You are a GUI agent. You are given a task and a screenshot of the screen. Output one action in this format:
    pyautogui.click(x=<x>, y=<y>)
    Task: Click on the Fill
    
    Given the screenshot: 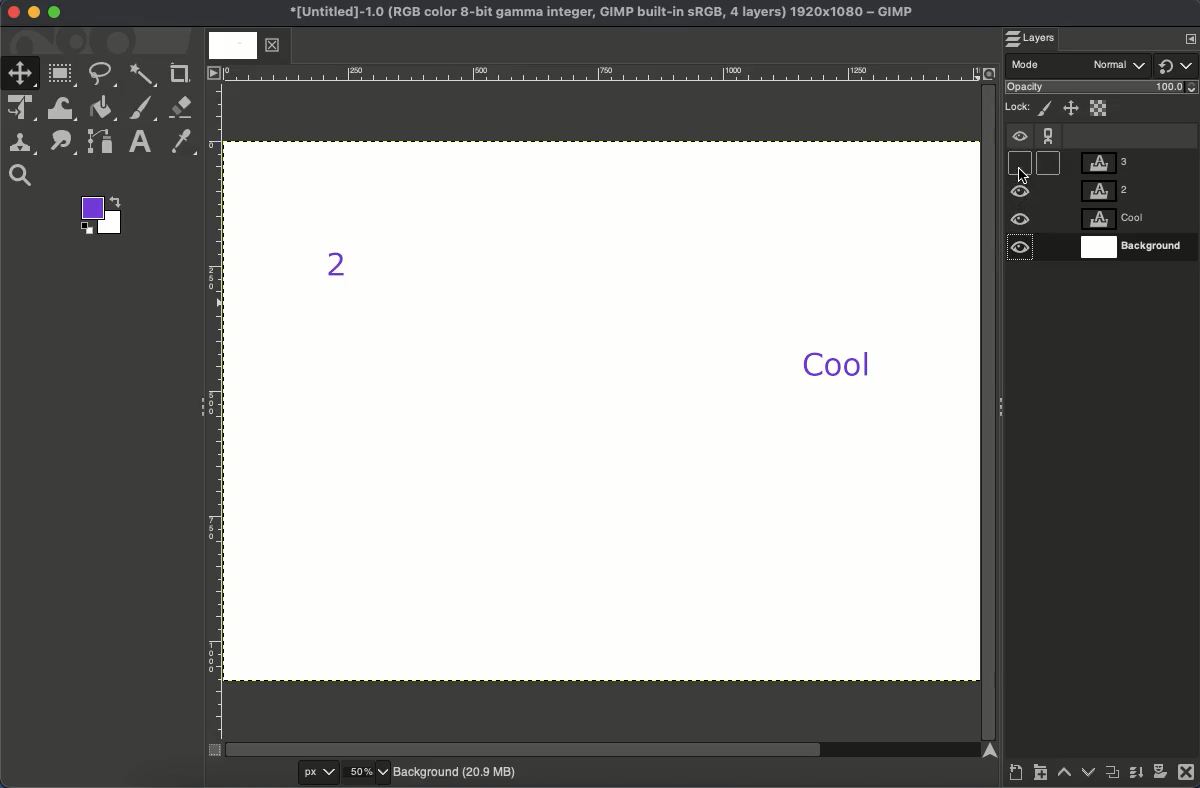 What is the action you would take?
    pyautogui.click(x=103, y=108)
    